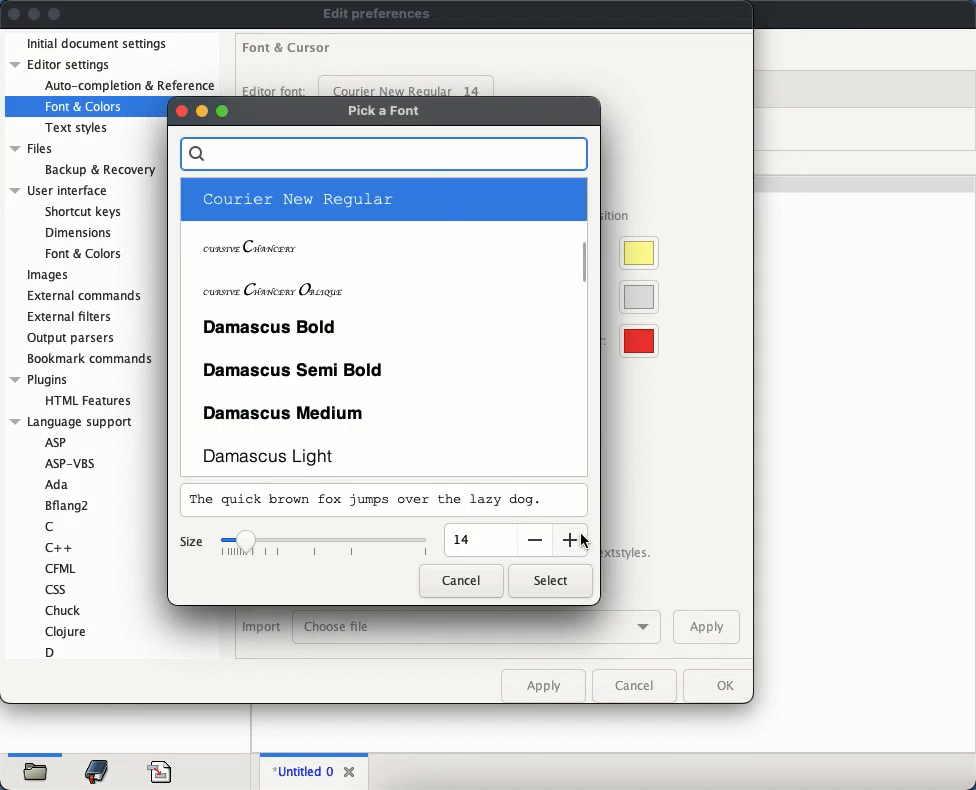 The width and height of the screenshot is (976, 790). What do you see at coordinates (48, 276) in the screenshot?
I see `images` at bounding box center [48, 276].